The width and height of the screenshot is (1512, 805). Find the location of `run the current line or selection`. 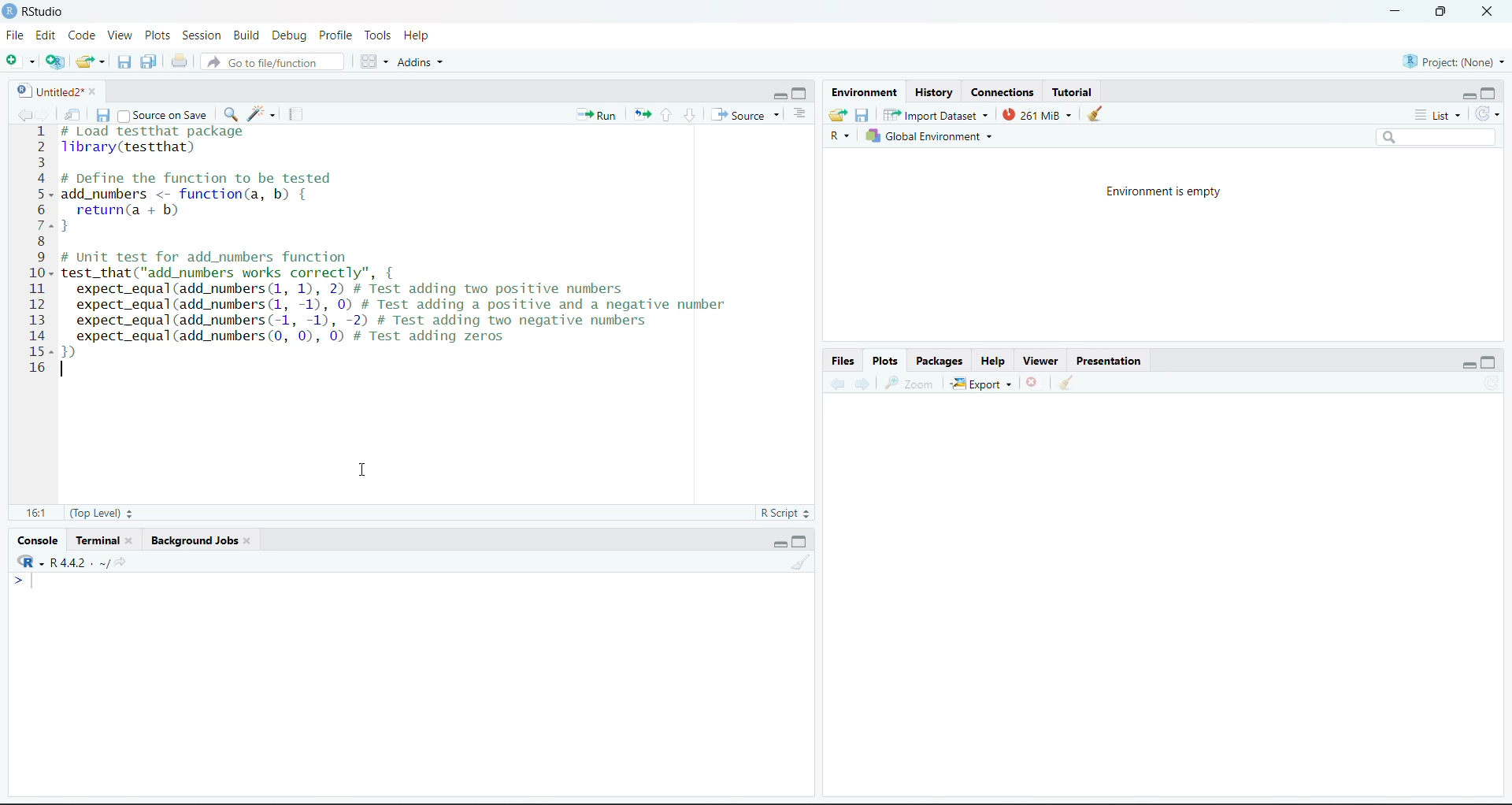

run the current line or selection is located at coordinates (599, 113).